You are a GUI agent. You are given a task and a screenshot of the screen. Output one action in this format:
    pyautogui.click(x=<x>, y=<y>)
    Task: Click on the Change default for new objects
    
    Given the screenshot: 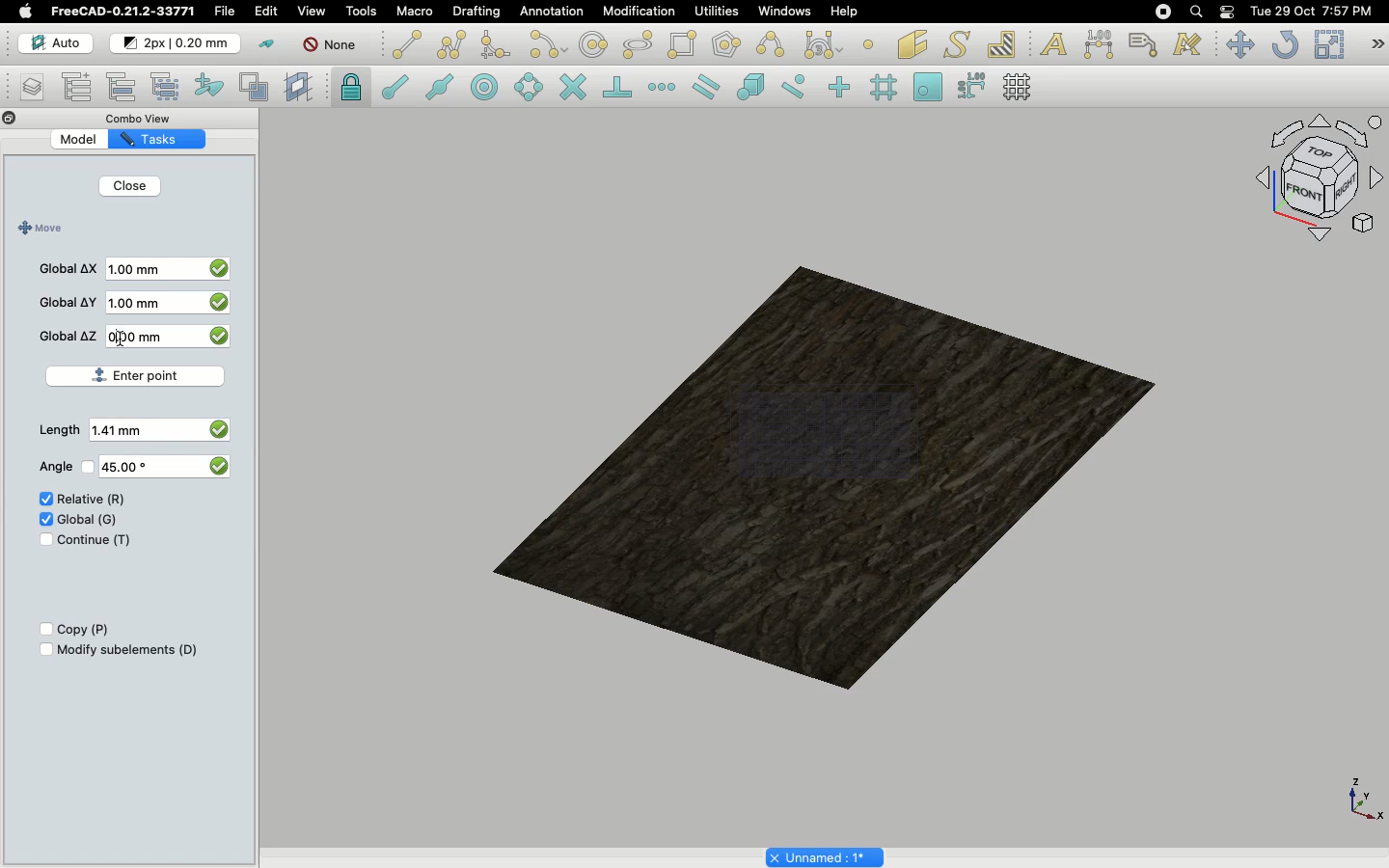 What is the action you would take?
    pyautogui.click(x=177, y=44)
    